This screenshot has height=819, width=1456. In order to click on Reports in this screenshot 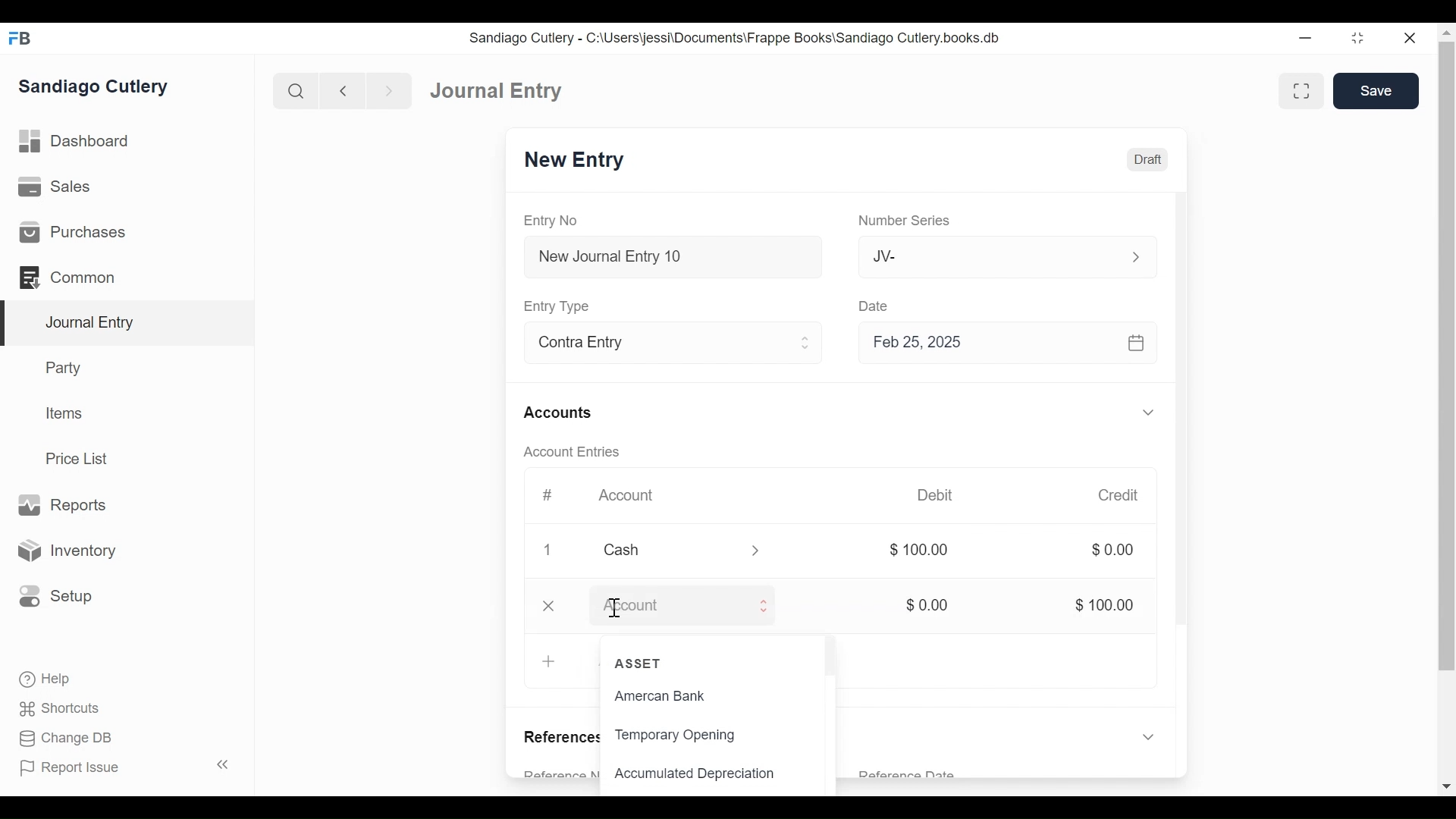, I will do `click(61, 504)`.